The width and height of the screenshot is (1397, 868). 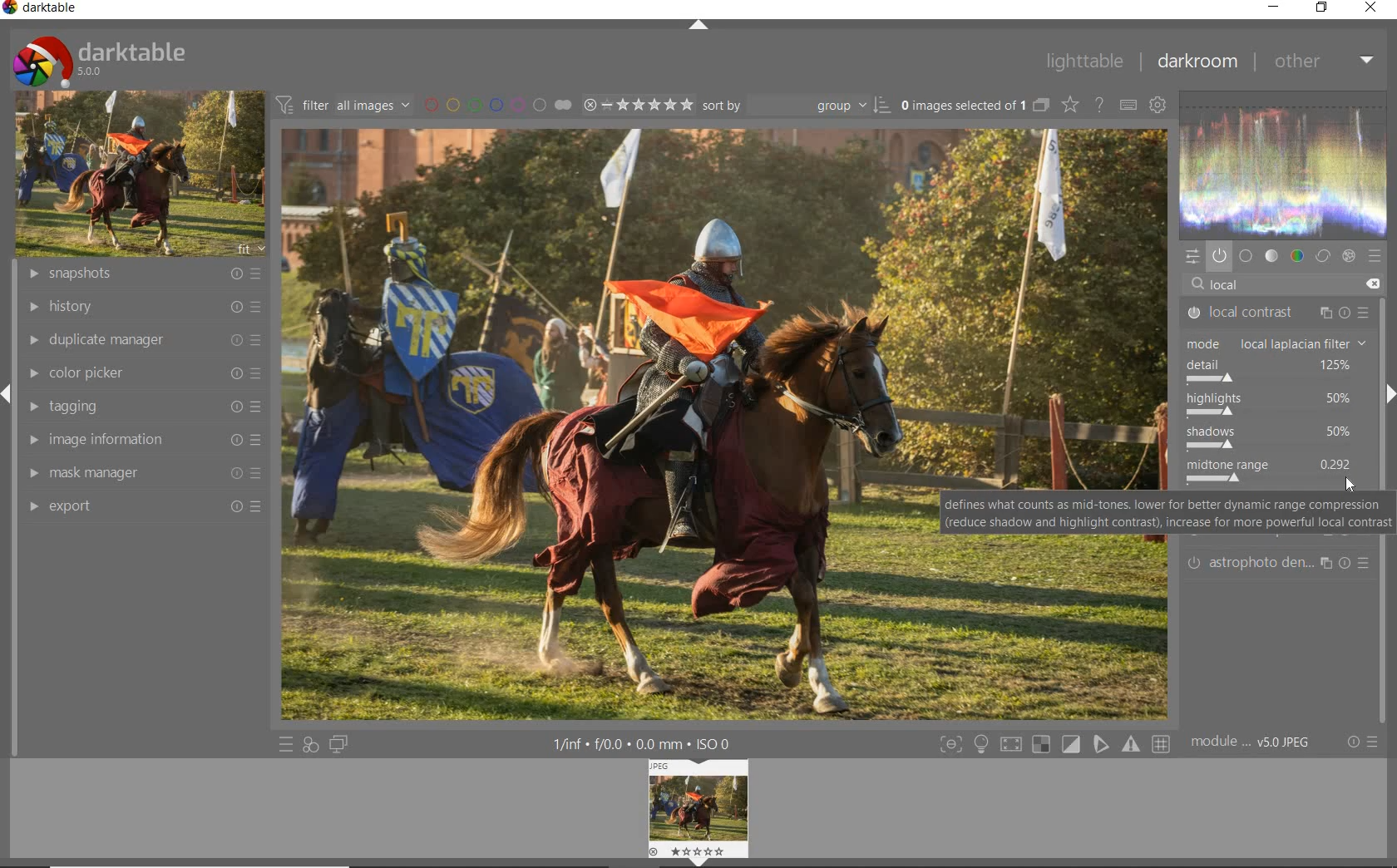 What do you see at coordinates (344, 105) in the screenshot?
I see `filter all images` at bounding box center [344, 105].